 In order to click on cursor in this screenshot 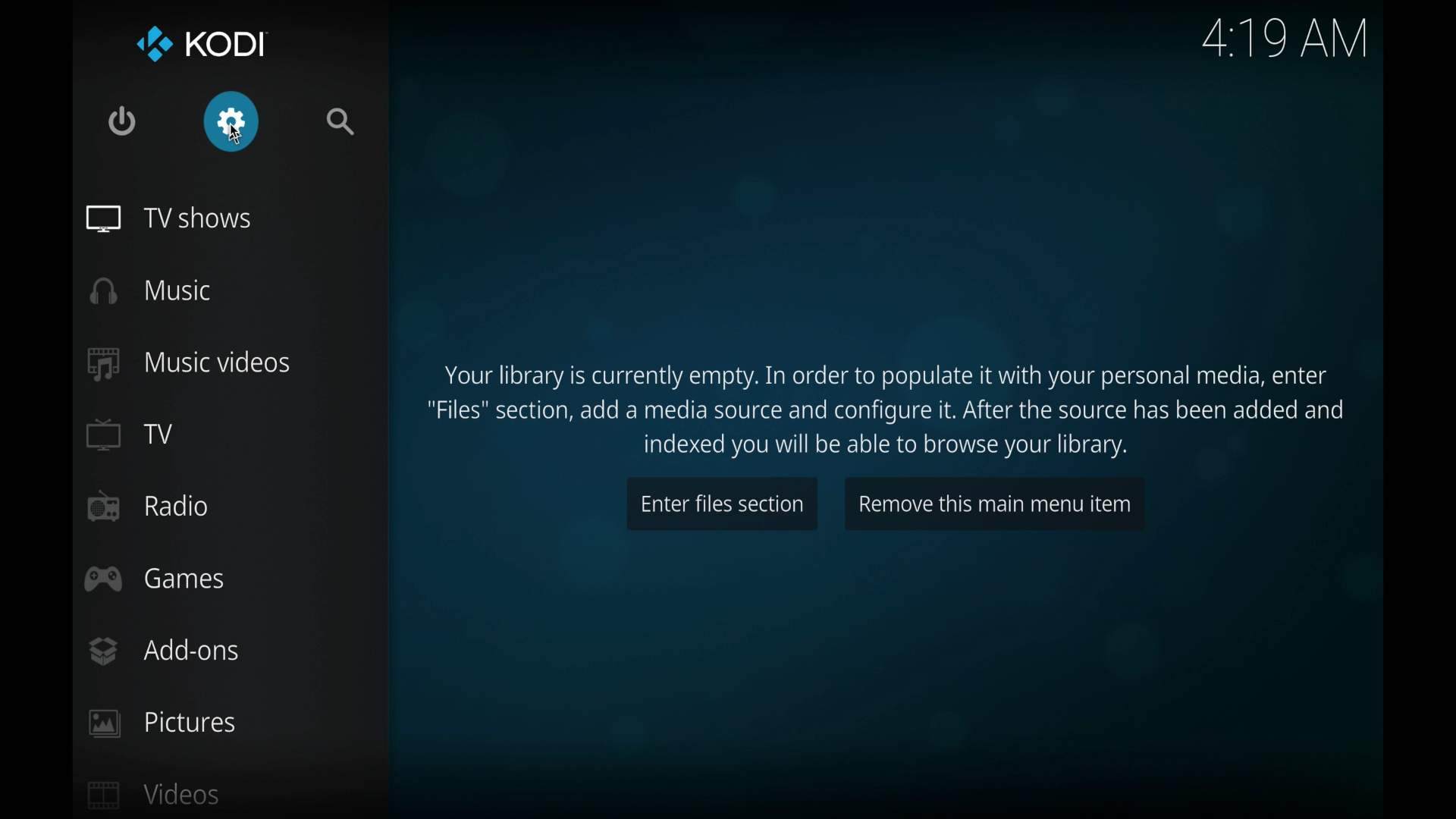, I will do `click(236, 133)`.